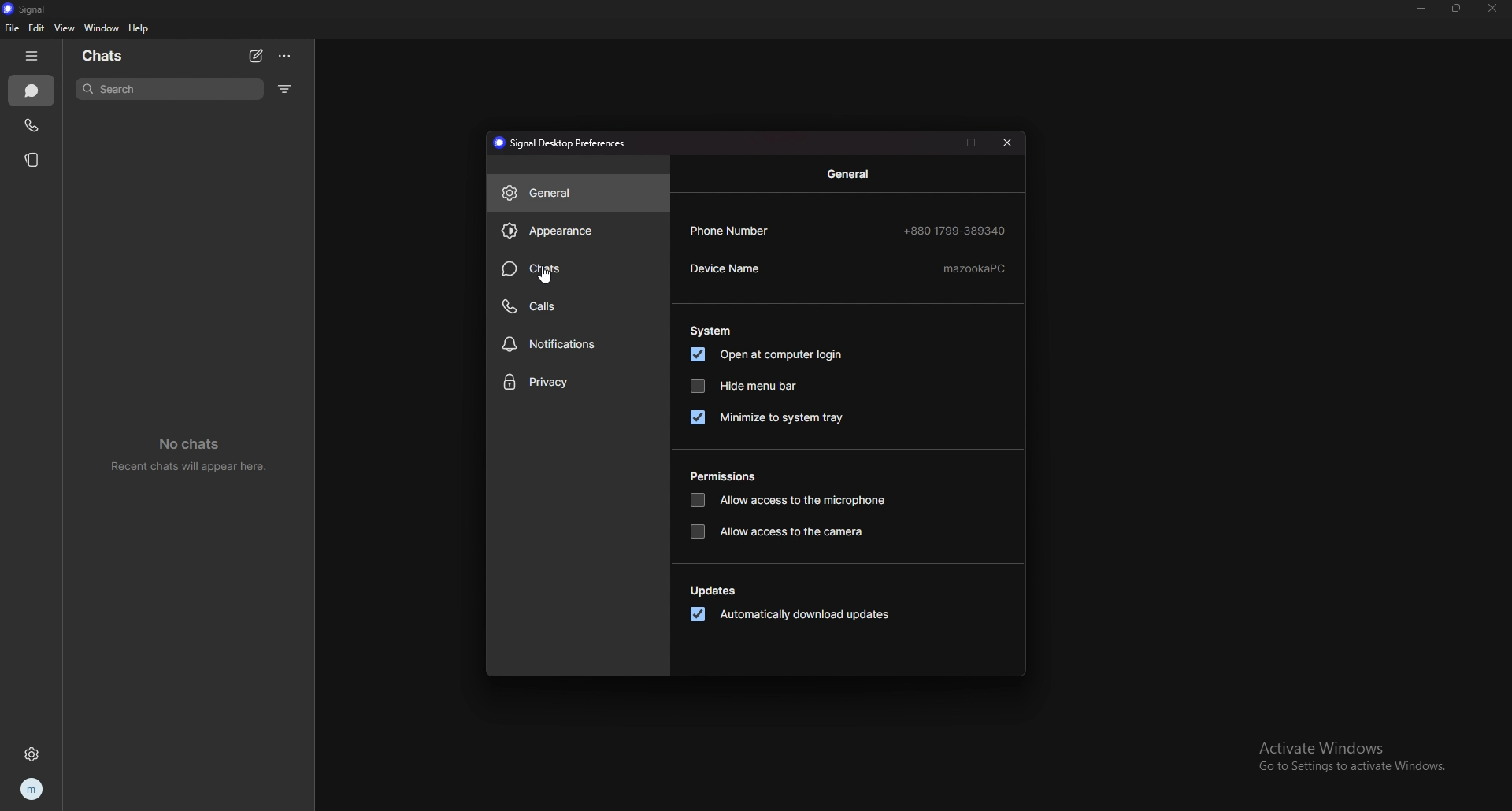 This screenshot has width=1512, height=811. I want to click on general, so click(851, 174).